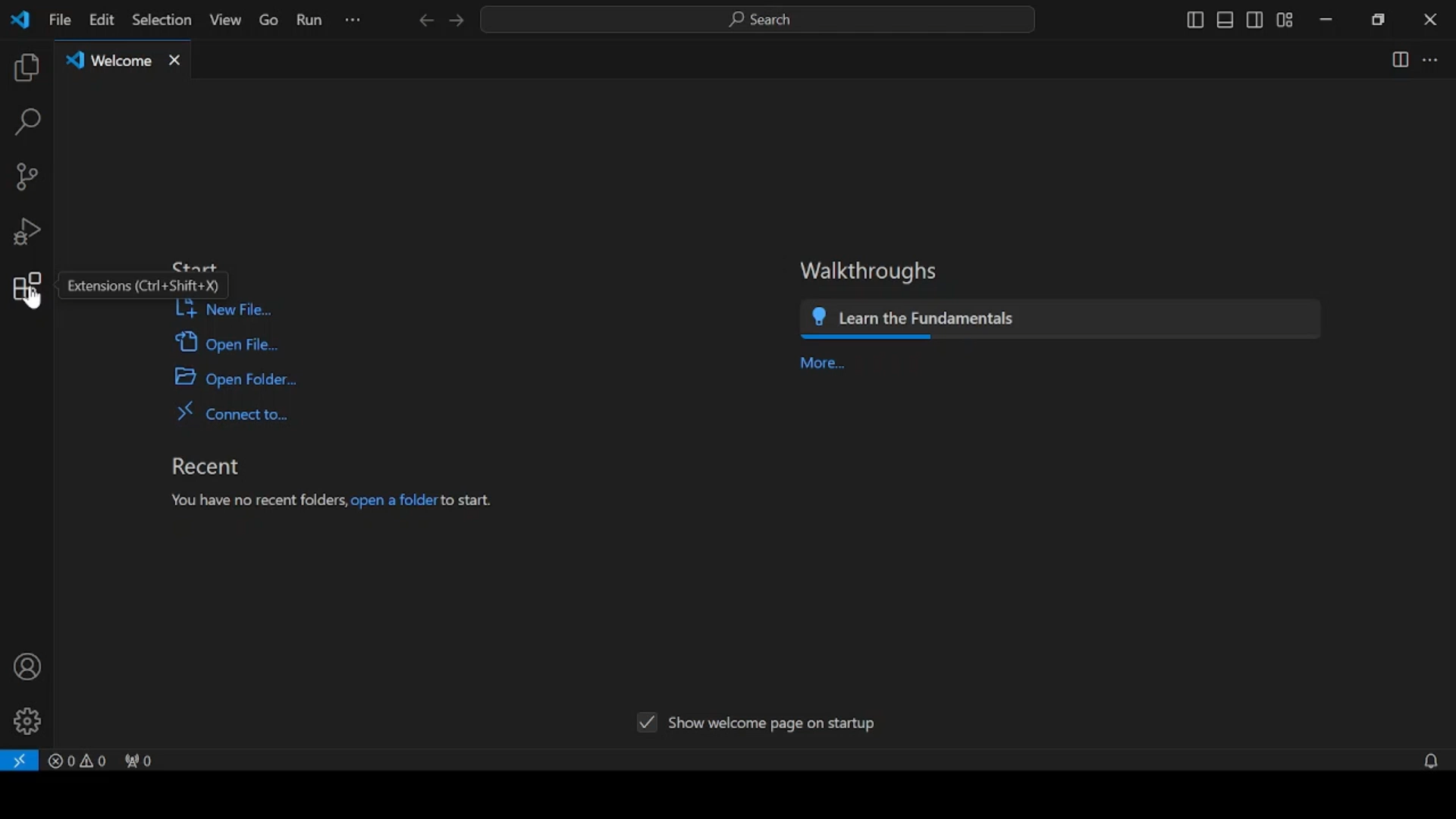 The height and width of the screenshot is (819, 1456). What do you see at coordinates (223, 309) in the screenshot?
I see `new file` at bounding box center [223, 309].